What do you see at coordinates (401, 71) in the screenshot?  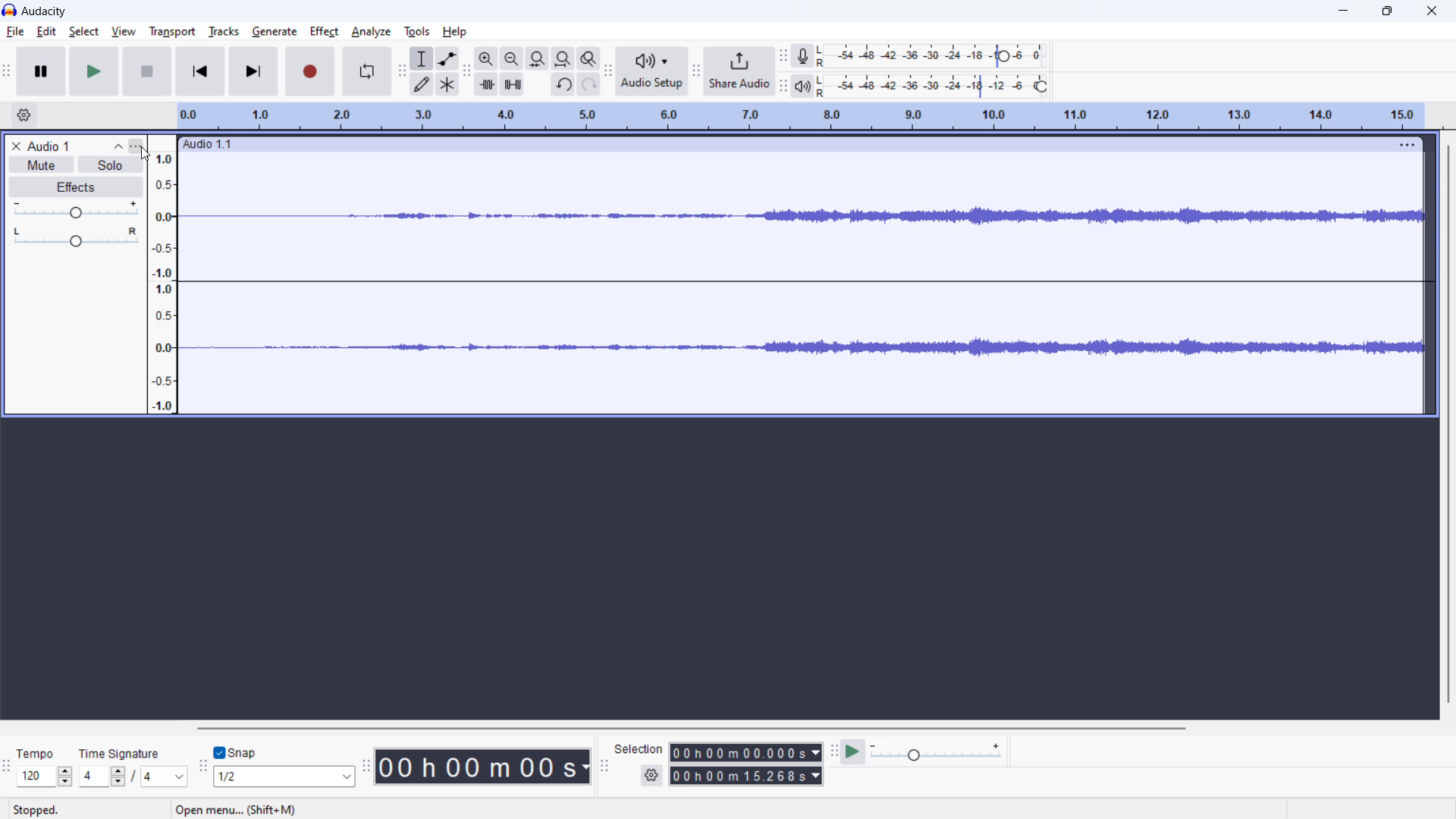 I see `tools toolbar ` at bounding box center [401, 71].